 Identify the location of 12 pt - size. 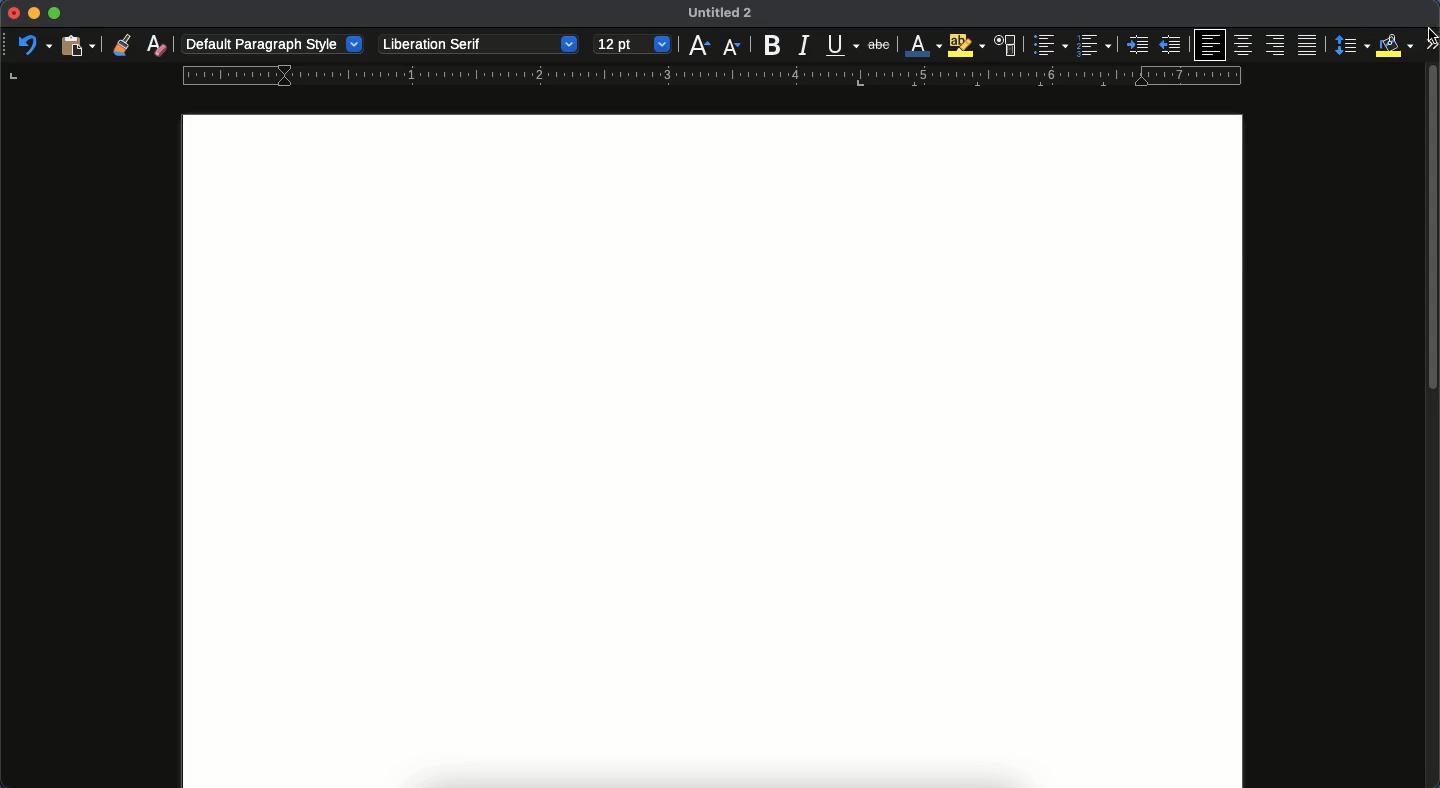
(634, 45).